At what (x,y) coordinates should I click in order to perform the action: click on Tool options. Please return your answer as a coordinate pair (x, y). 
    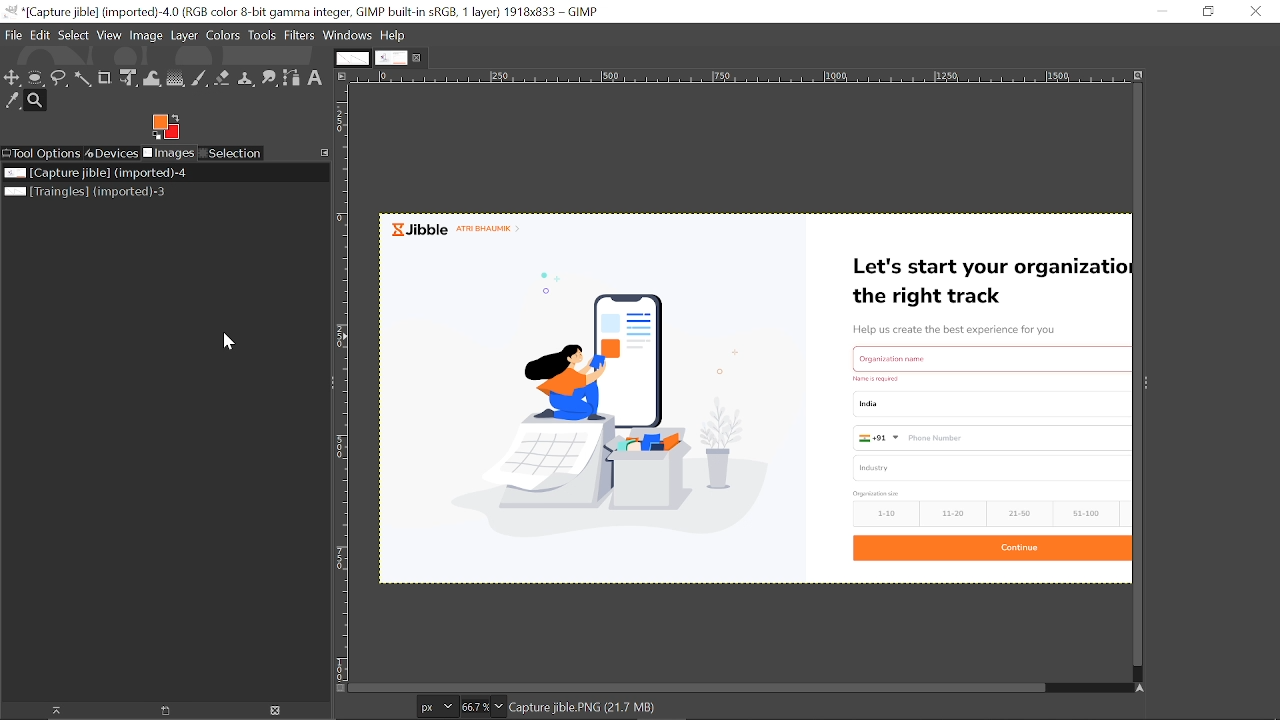
    Looking at the image, I should click on (42, 154).